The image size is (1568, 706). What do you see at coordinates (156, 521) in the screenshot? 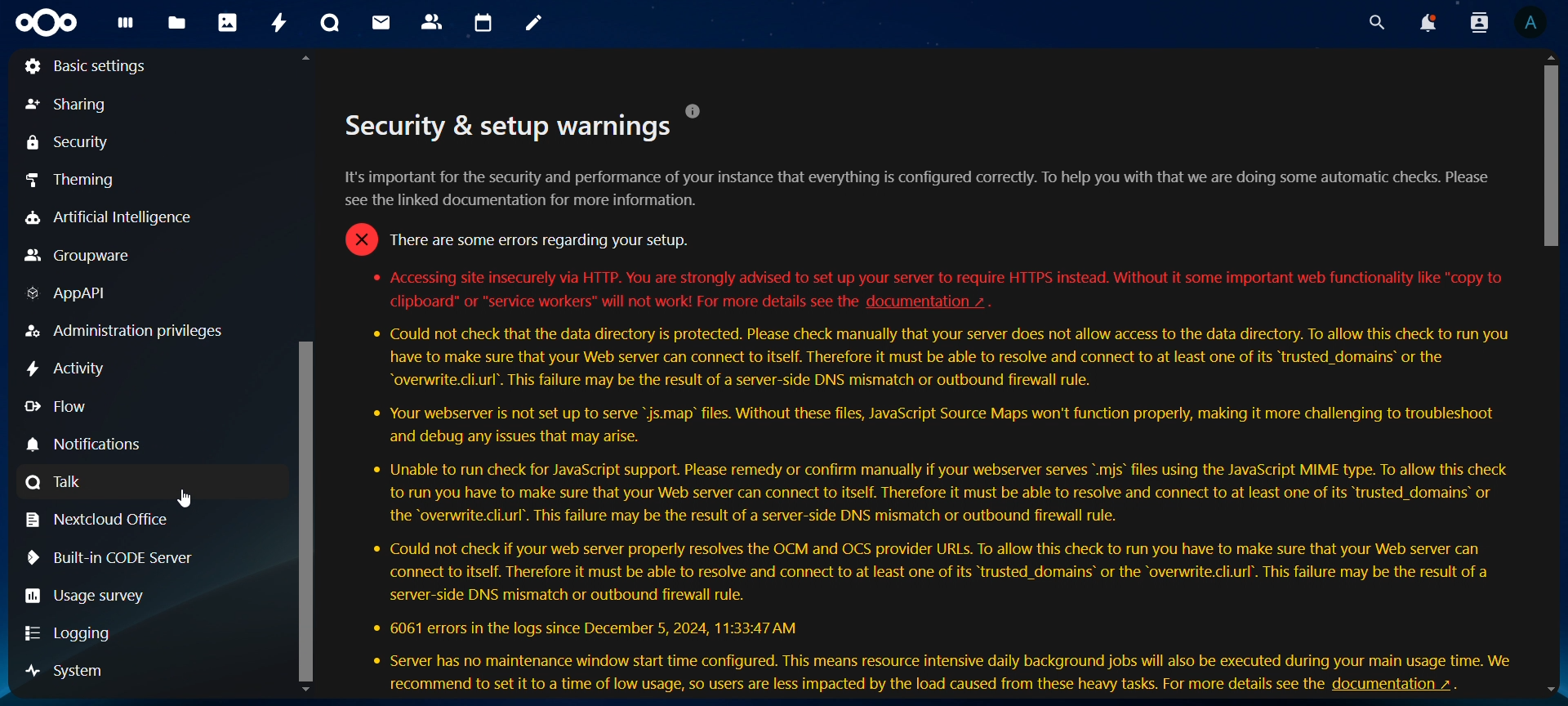
I see `nextcloud office` at bounding box center [156, 521].